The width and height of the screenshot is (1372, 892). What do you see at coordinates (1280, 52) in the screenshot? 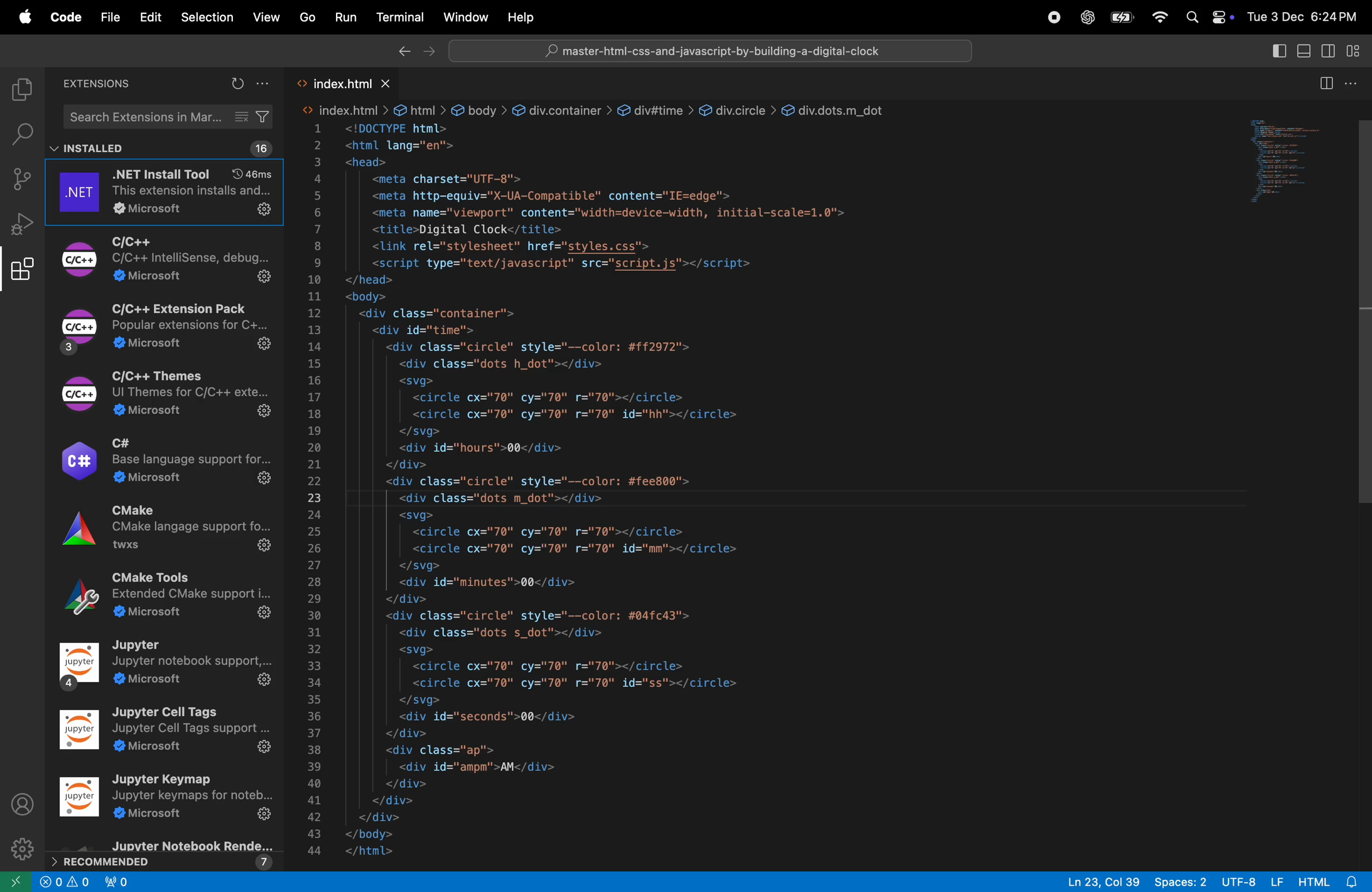
I see `toggle side bar` at bounding box center [1280, 52].